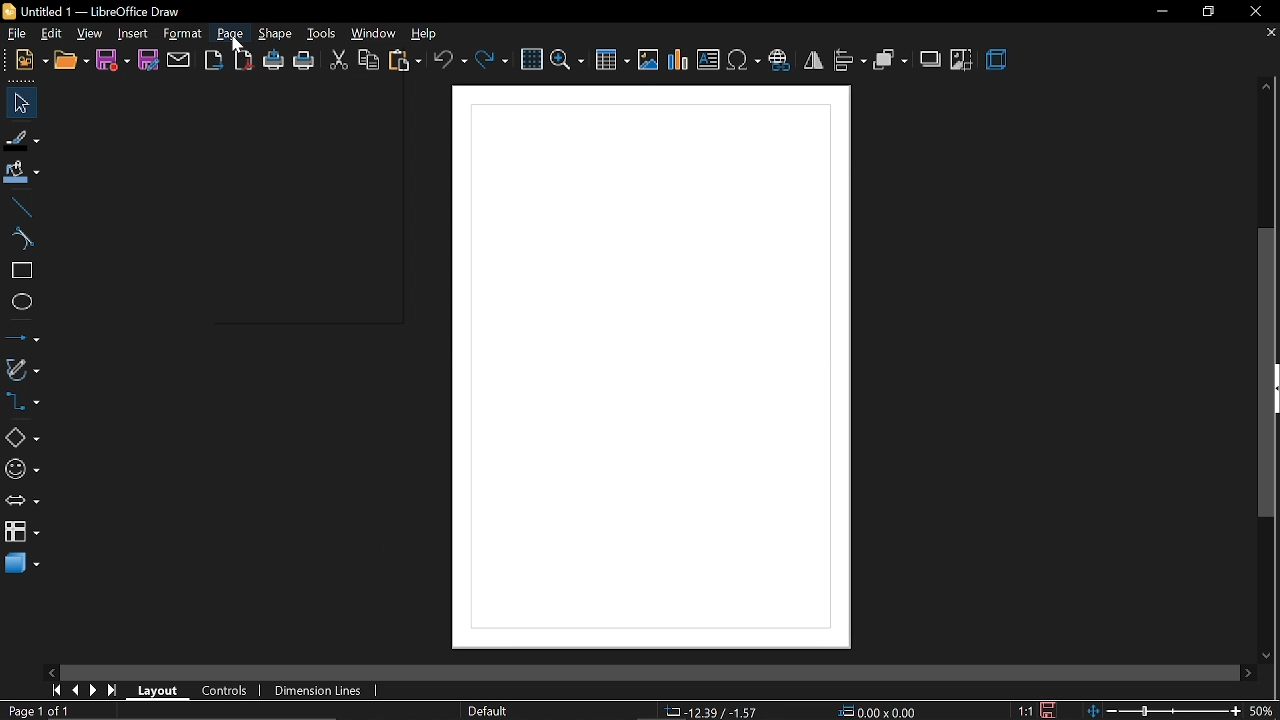 Image resolution: width=1280 pixels, height=720 pixels. What do you see at coordinates (22, 171) in the screenshot?
I see `fill color` at bounding box center [22, 171].